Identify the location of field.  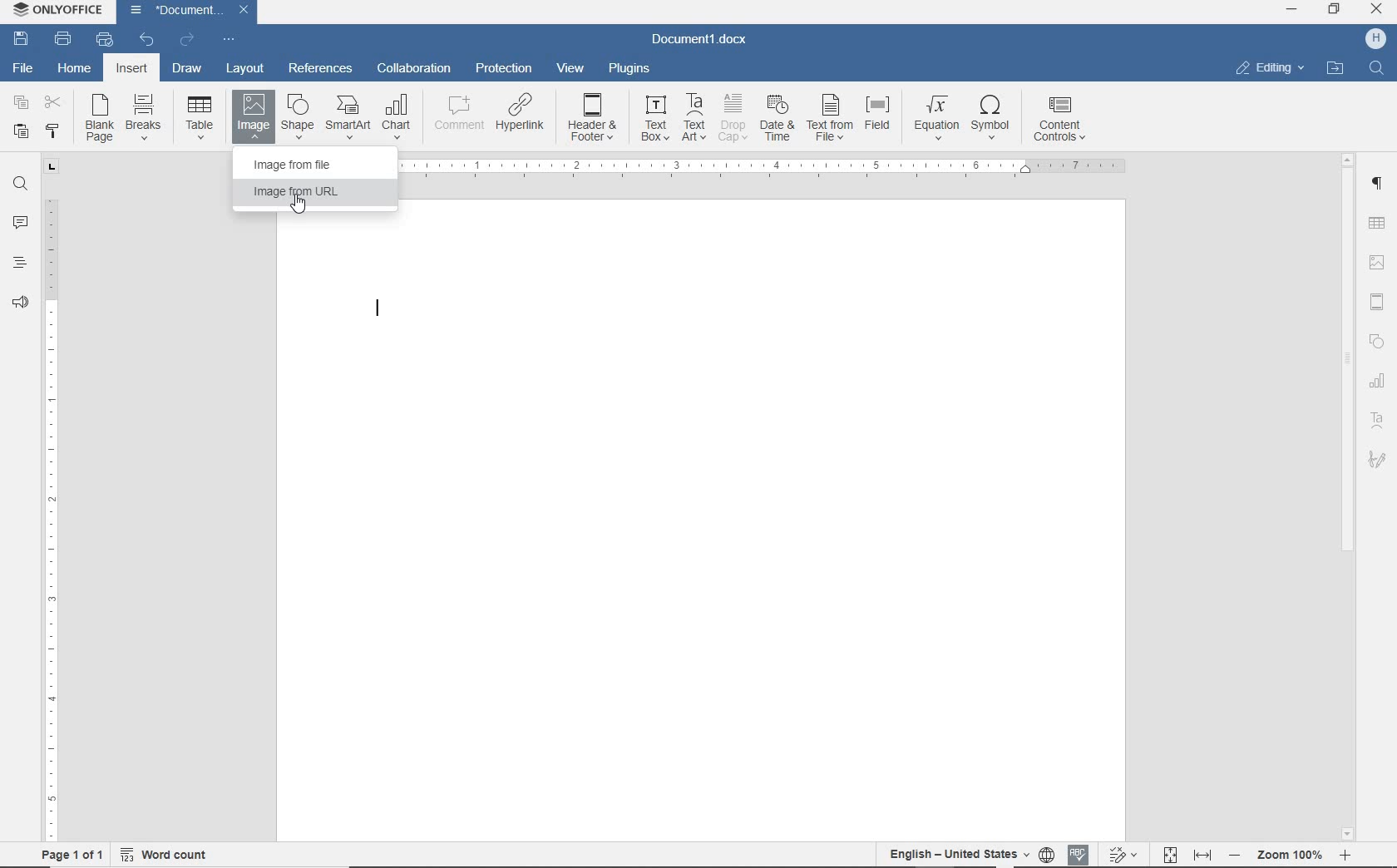
(881, 118).